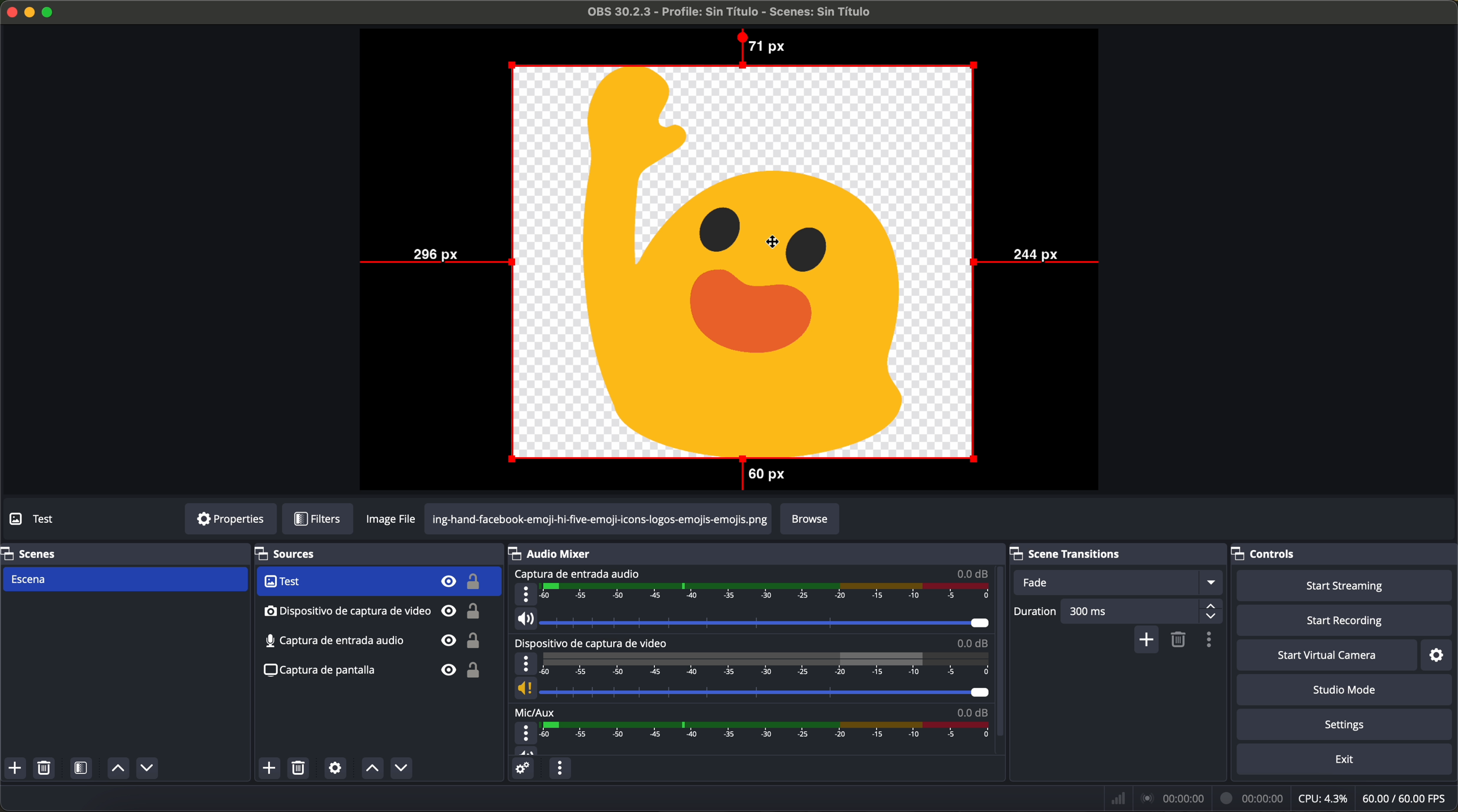  What do you see at coordinates (398, 769) in the screenshot?
I see `move source down` at bounding box center [398, 769].